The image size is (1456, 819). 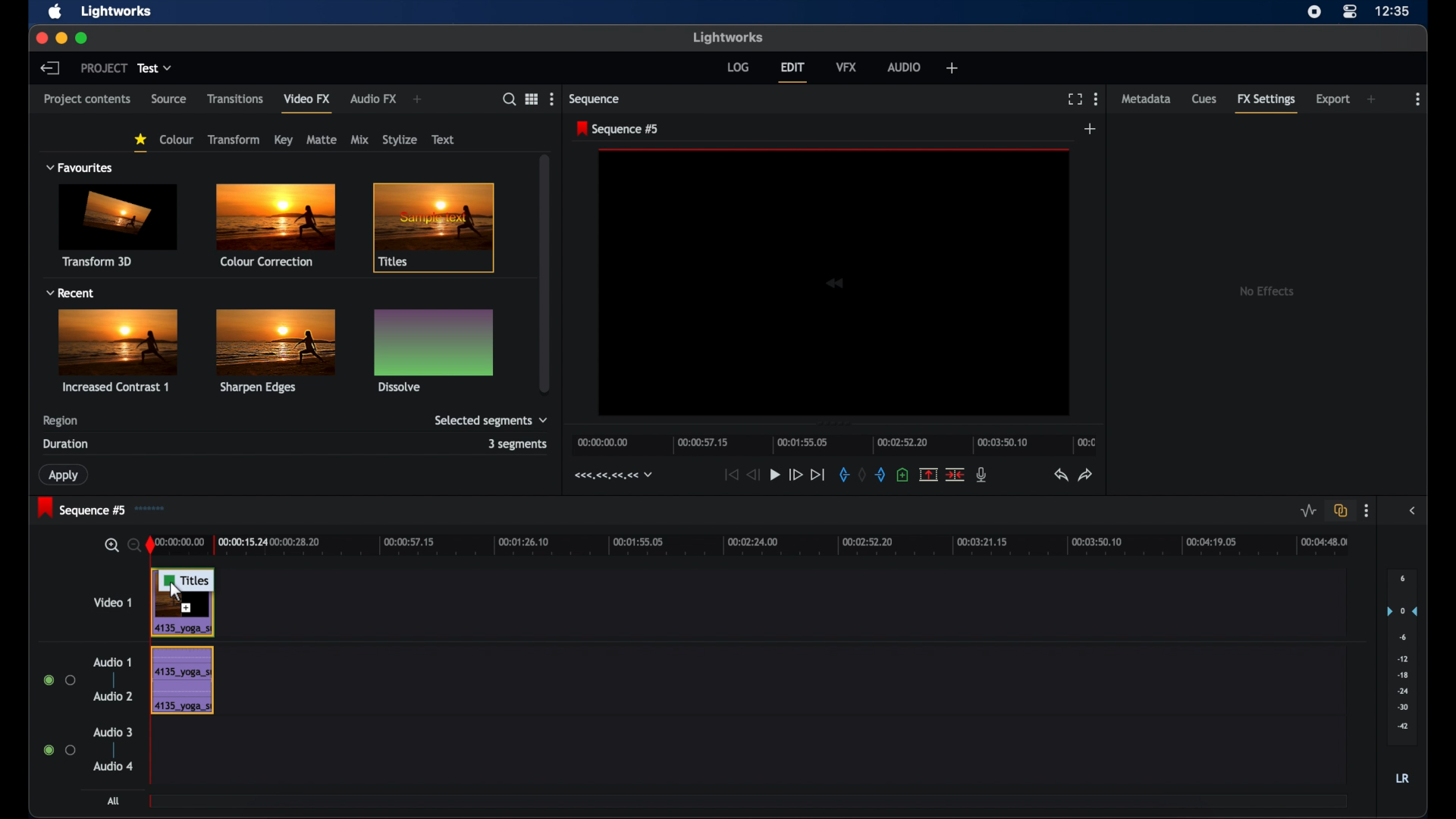 What do you see at coordinates (775, 475) in the screenshot?
I see `play ` at bounding box center [775, 475].